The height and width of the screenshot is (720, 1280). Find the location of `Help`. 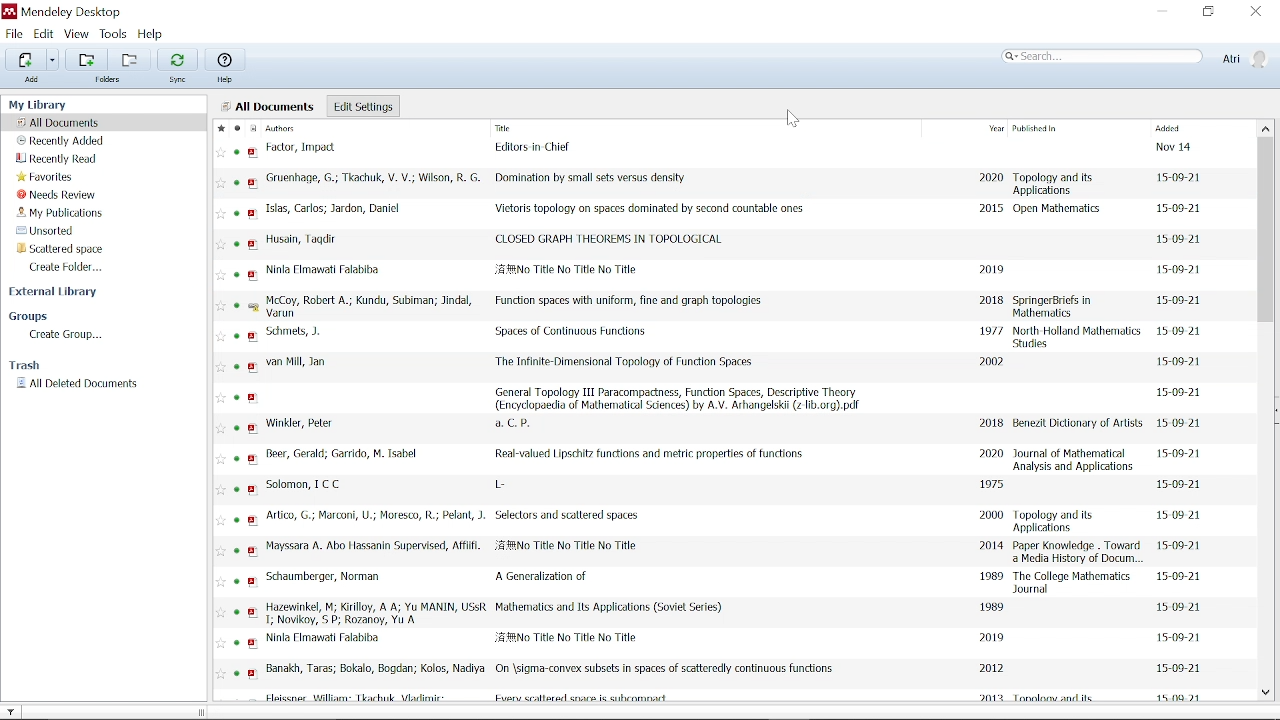

Help is located at coordinates (158, 35).